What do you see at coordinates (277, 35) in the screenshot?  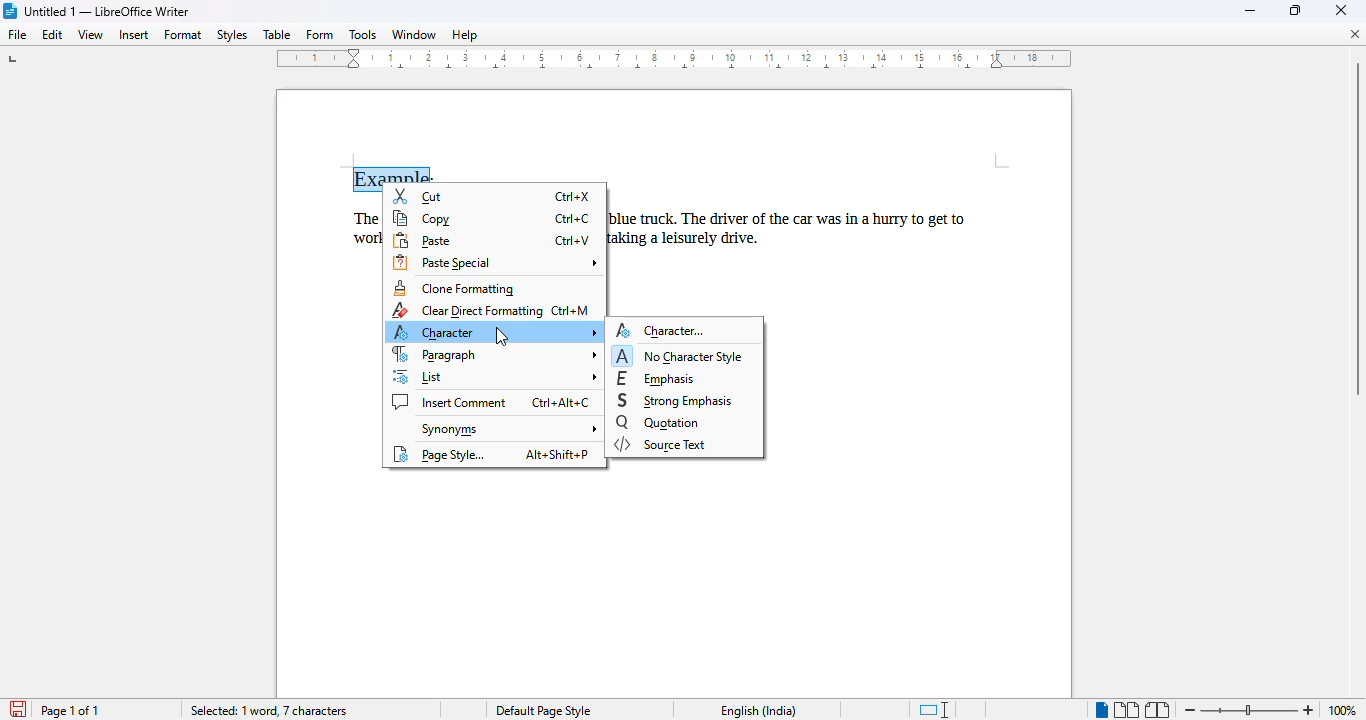 I see `table` at bounding box center [277, 35].